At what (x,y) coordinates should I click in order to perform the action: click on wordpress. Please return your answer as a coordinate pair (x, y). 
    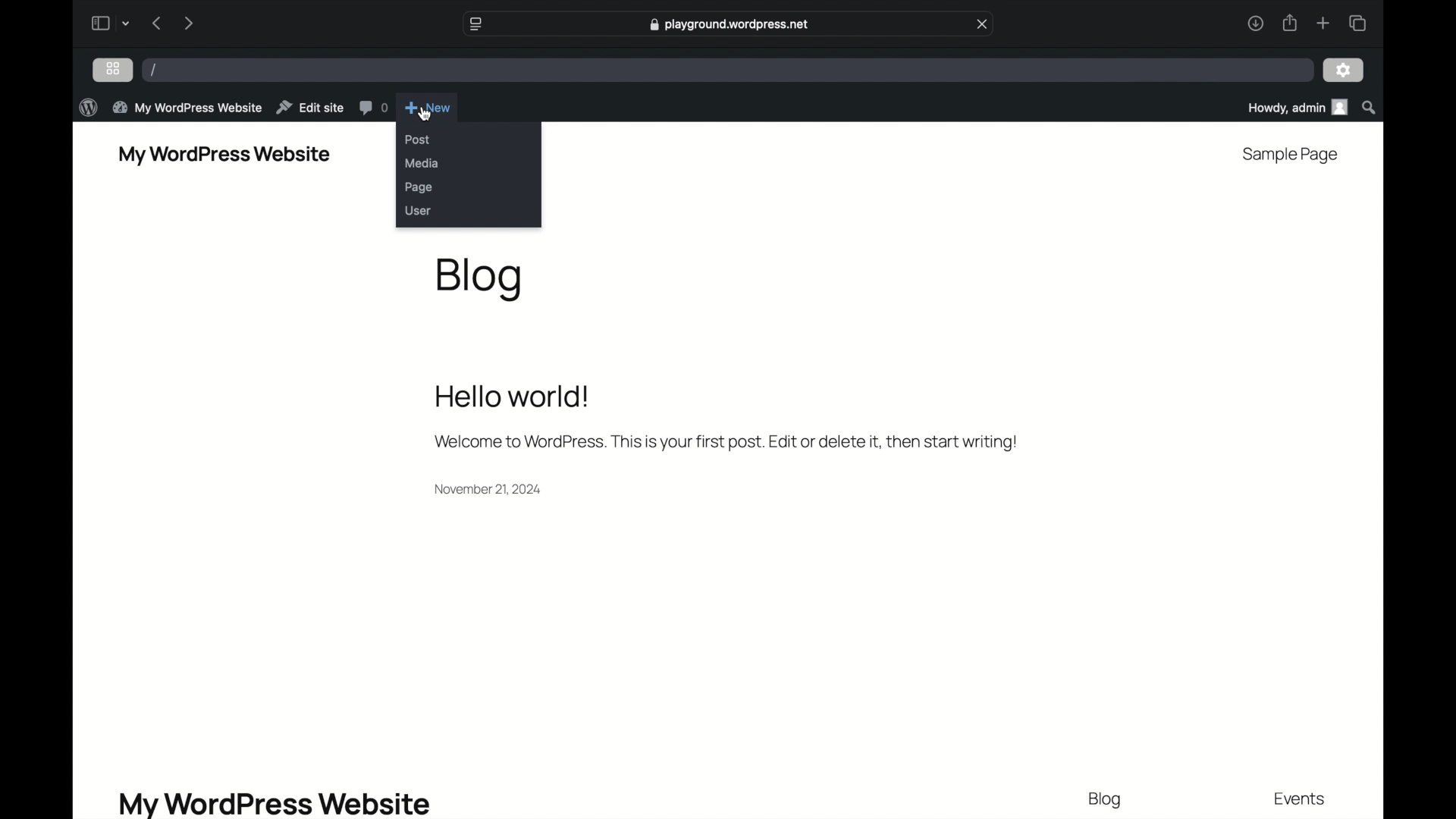
    Looking at the image, I should click on (86, 107).